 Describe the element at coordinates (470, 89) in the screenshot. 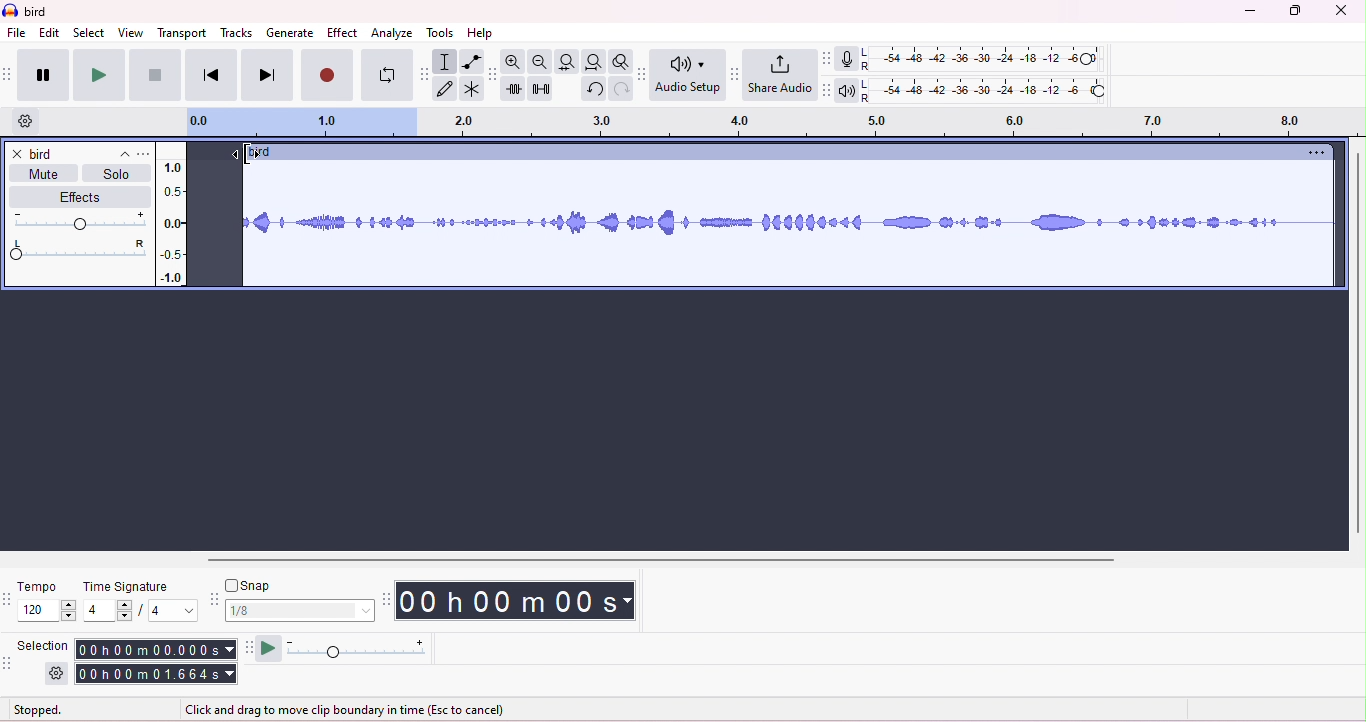

I see `multi` at that location.